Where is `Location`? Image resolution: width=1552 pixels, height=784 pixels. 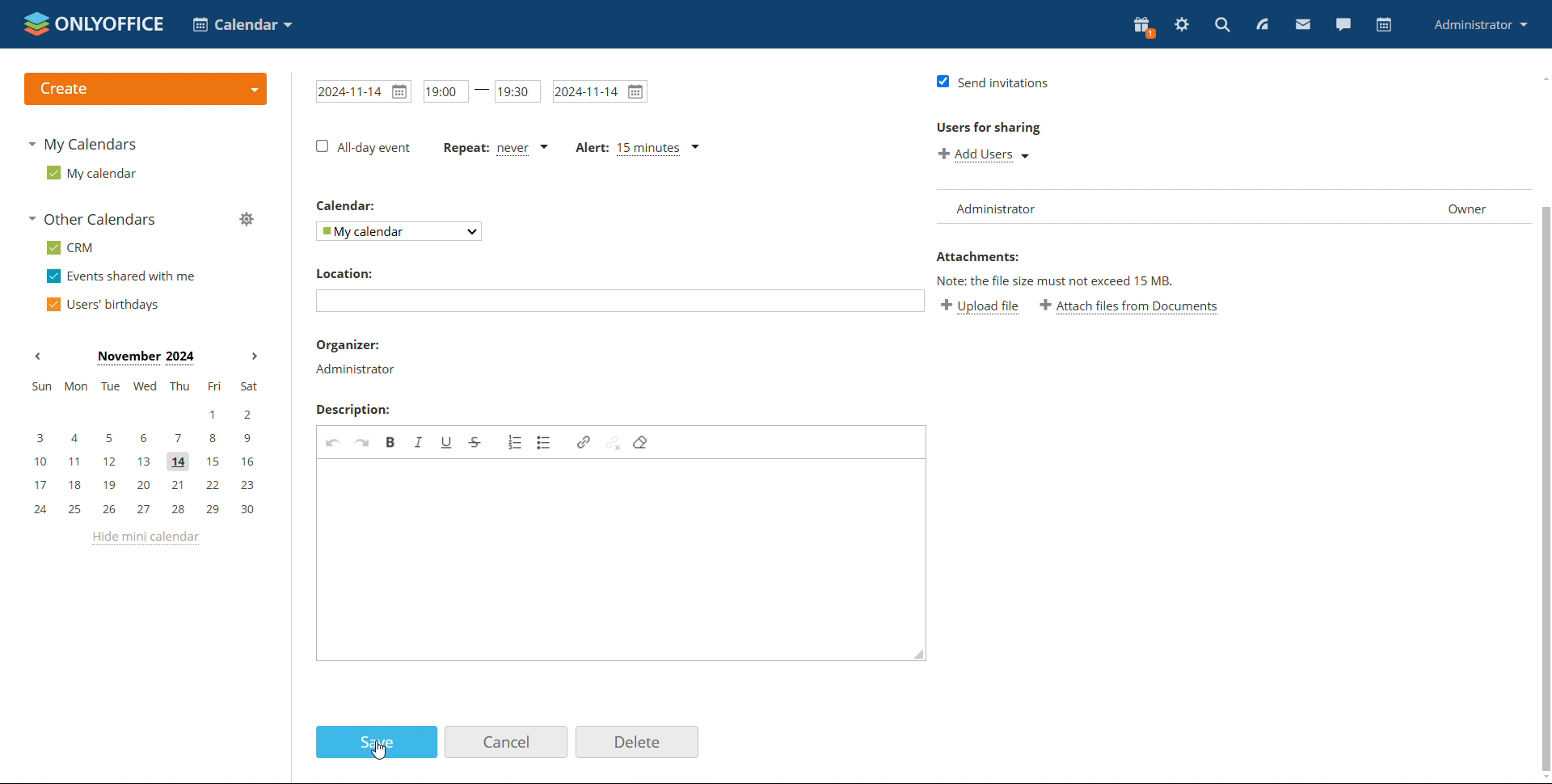 Location is located at coordinates (347, 273).